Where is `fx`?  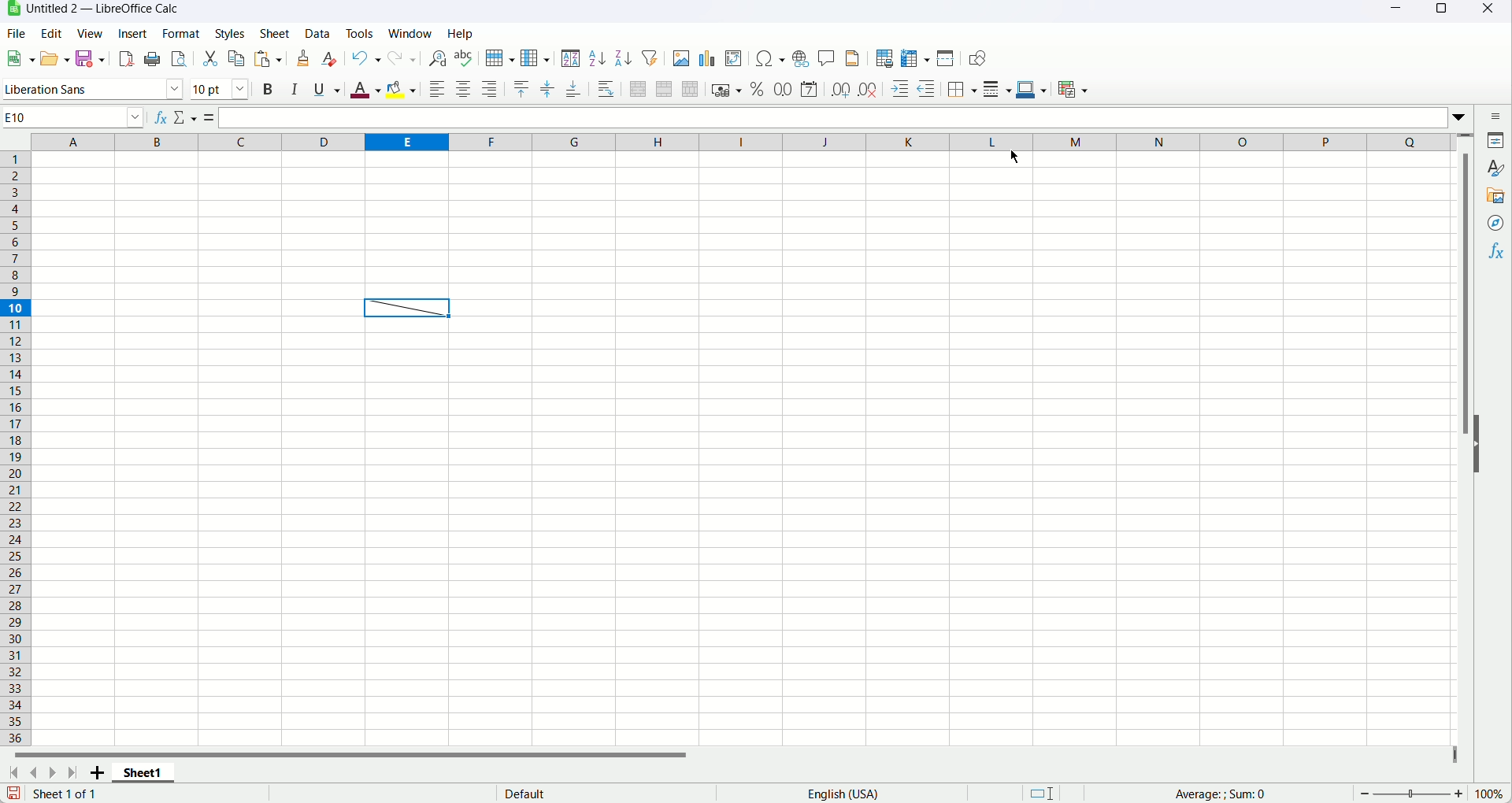
fx is located at coordinates (161, 115).